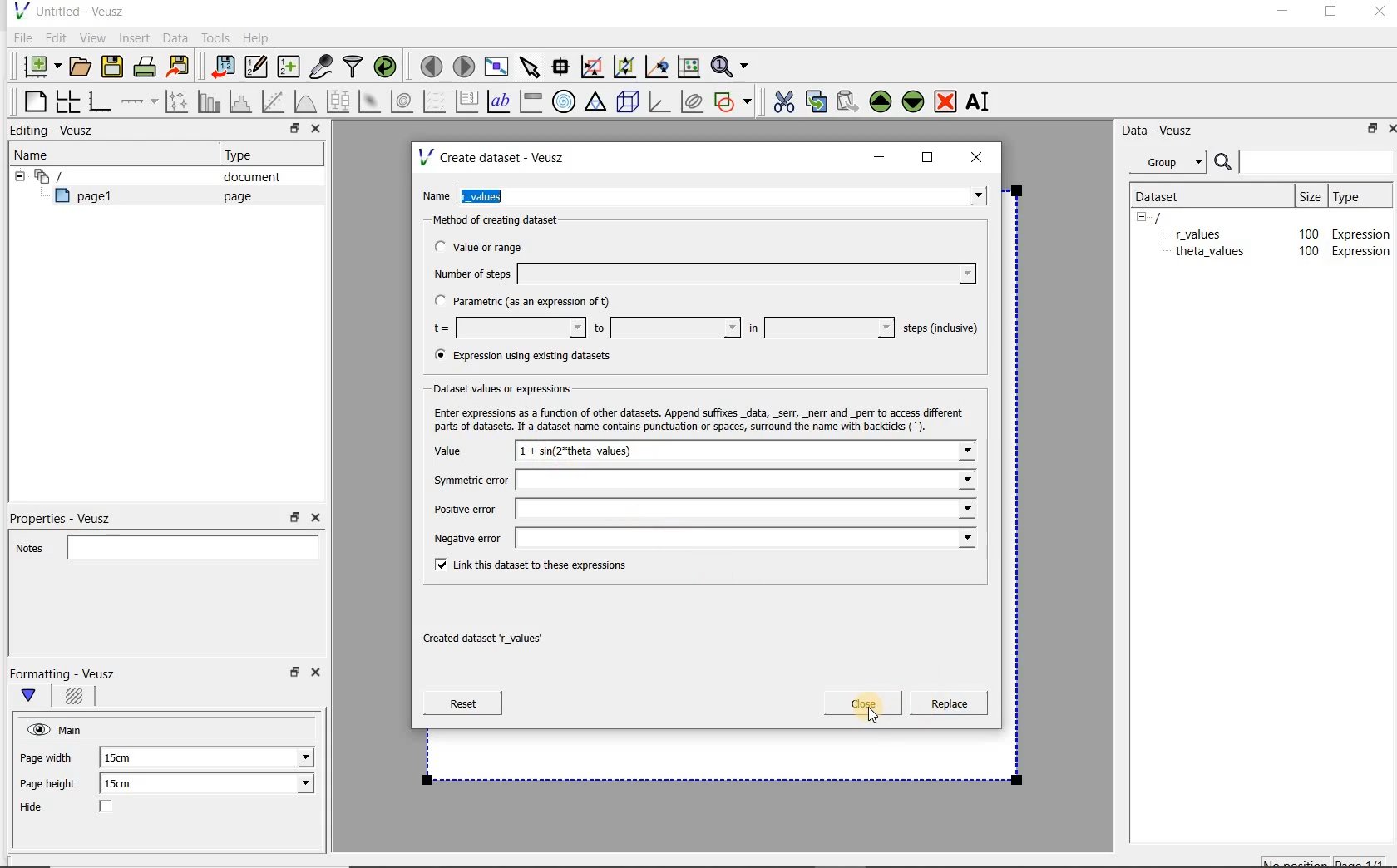 The height and width of the screenshot is (868, 1397). I want to click on Symmetric error, so click(700, 481).